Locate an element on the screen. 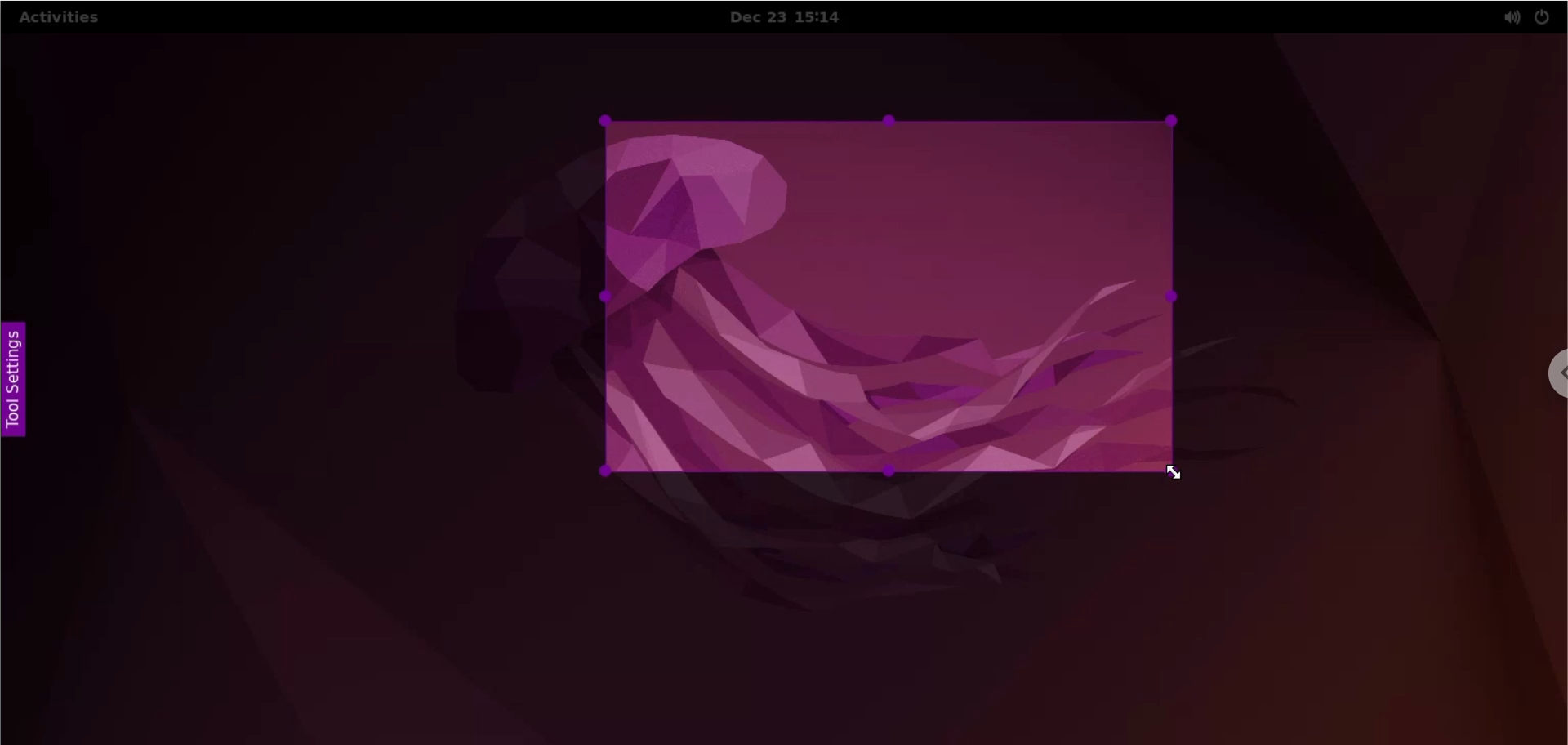  cursor is located at coordinates (1174, 472).